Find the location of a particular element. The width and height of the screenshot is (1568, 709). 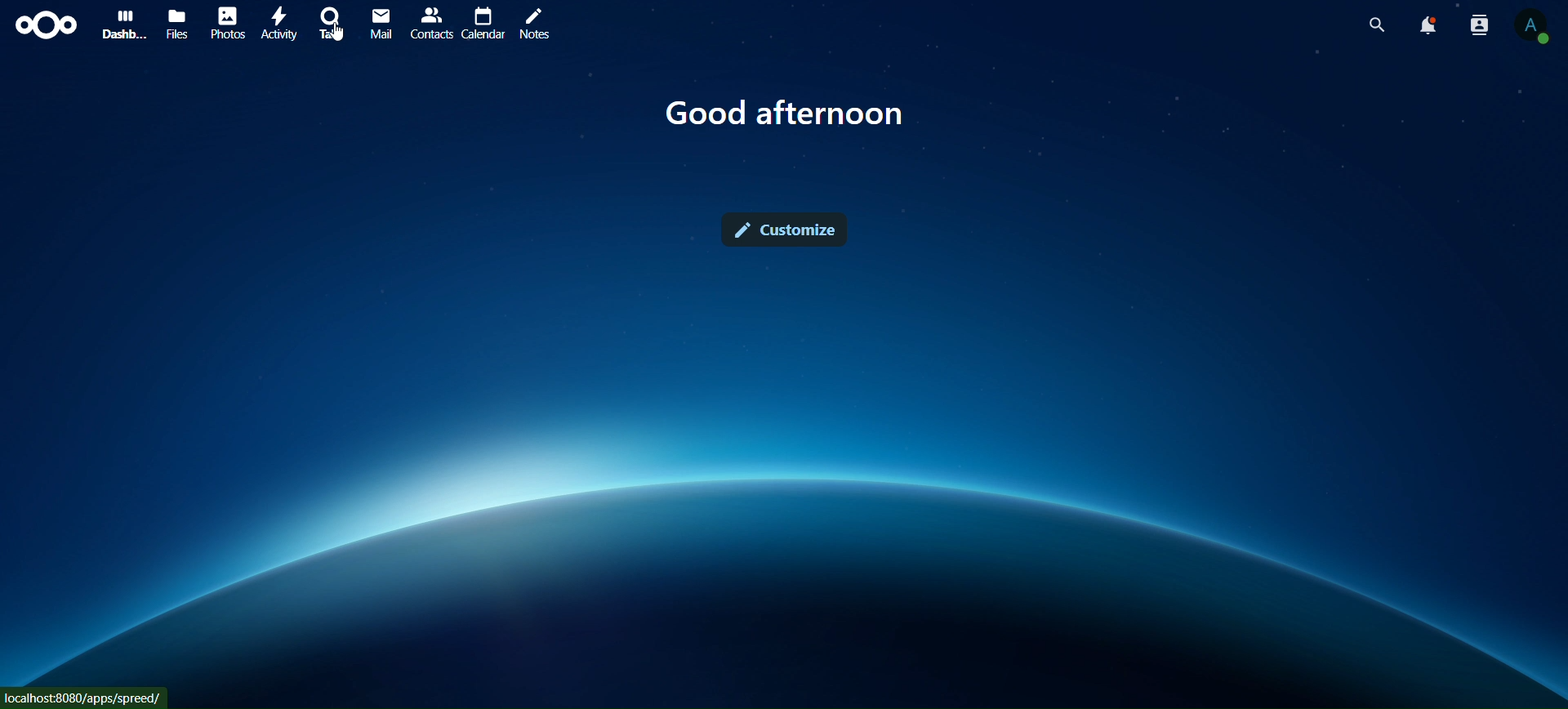

notifications is located at coordinates (1429, 26).